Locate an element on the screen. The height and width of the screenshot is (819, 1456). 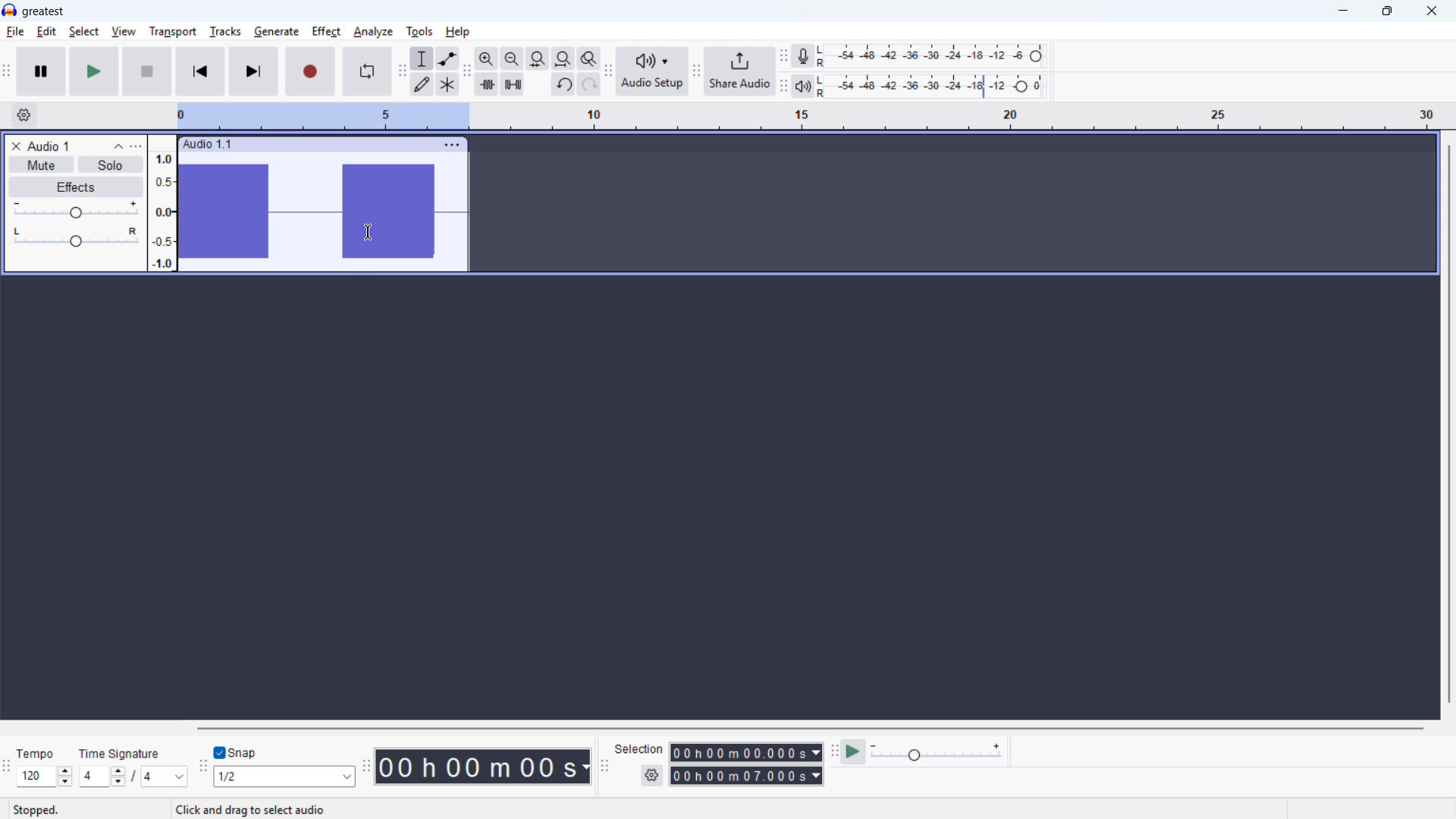
select is located at coordinates (84, 32).